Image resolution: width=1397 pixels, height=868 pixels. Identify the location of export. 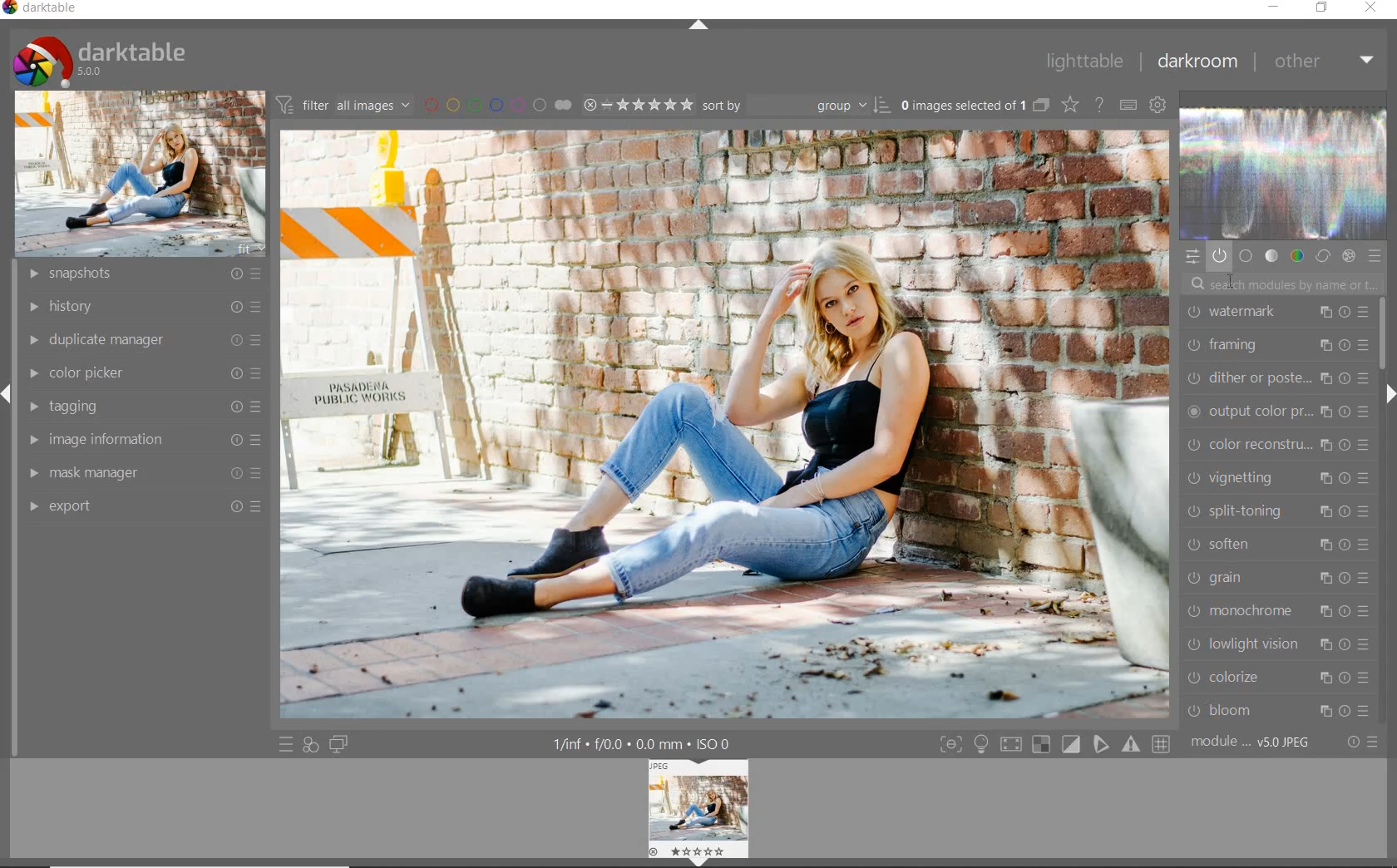
(141, 506).